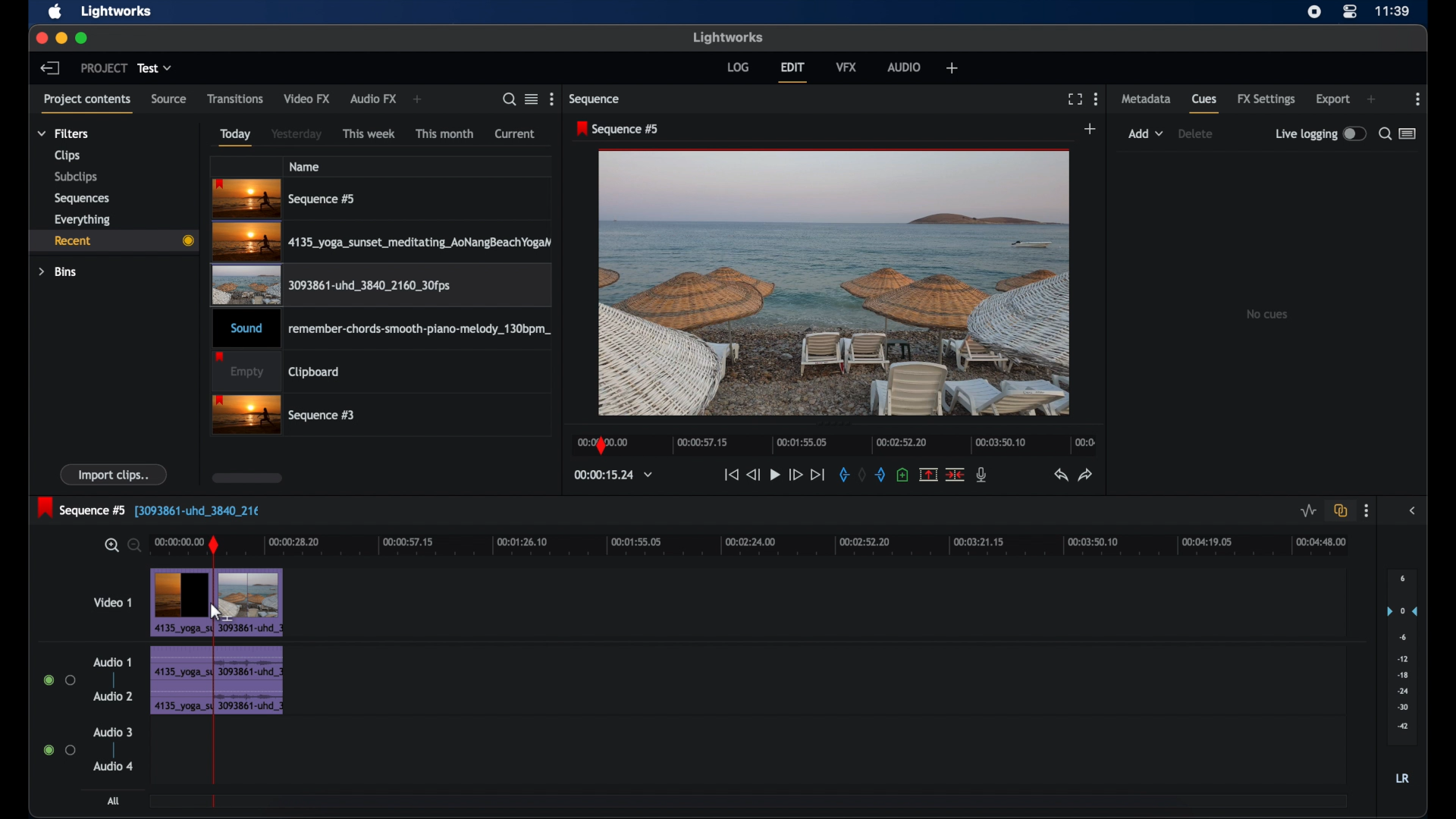 The height and width of the screenshot is (819, 1456). What do you see at coordinates (113, 801) in the screenshot?
I see `all` at bounding box center [113, 801].